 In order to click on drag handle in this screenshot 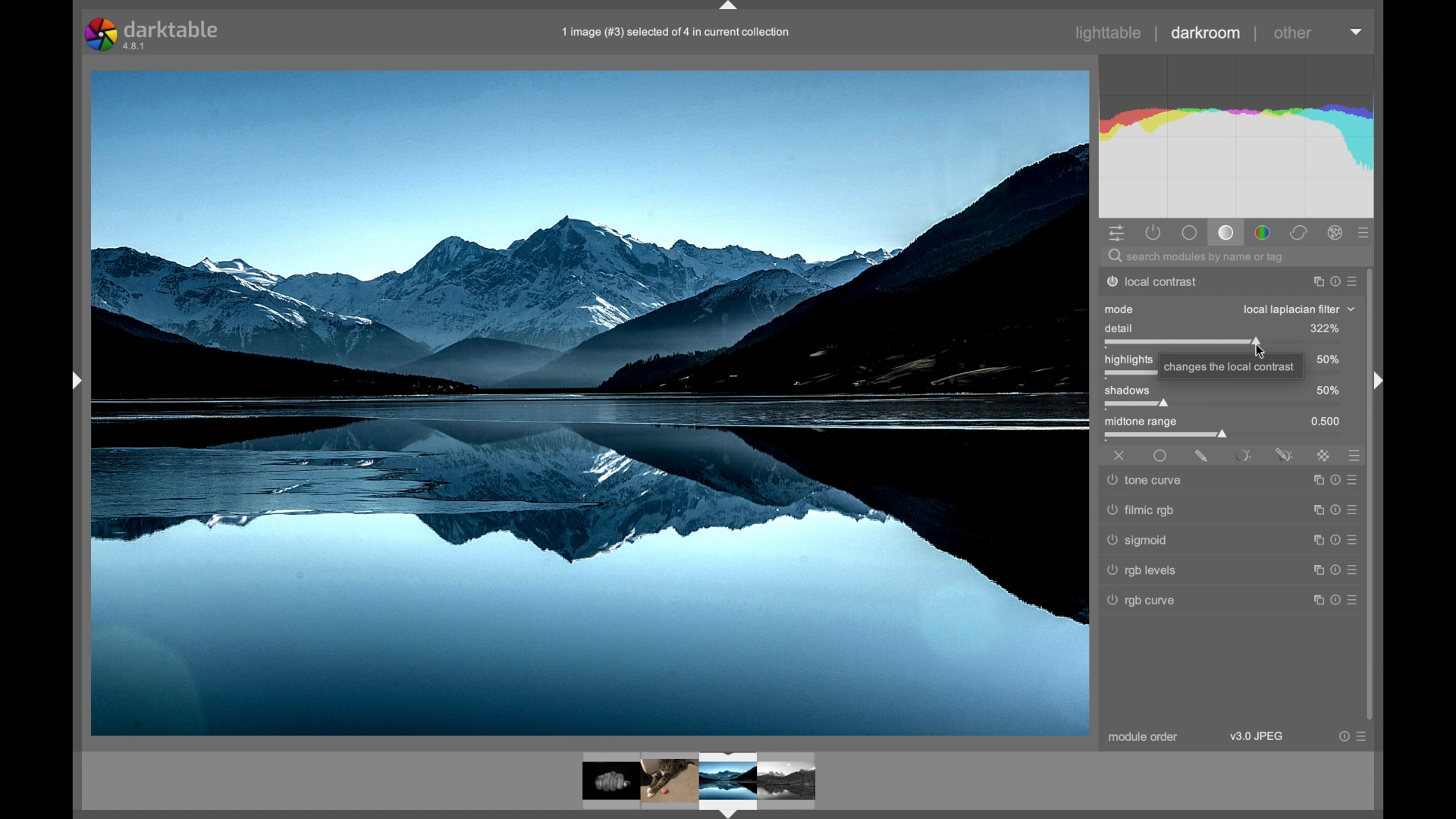, I will do `click(74, 382)`.